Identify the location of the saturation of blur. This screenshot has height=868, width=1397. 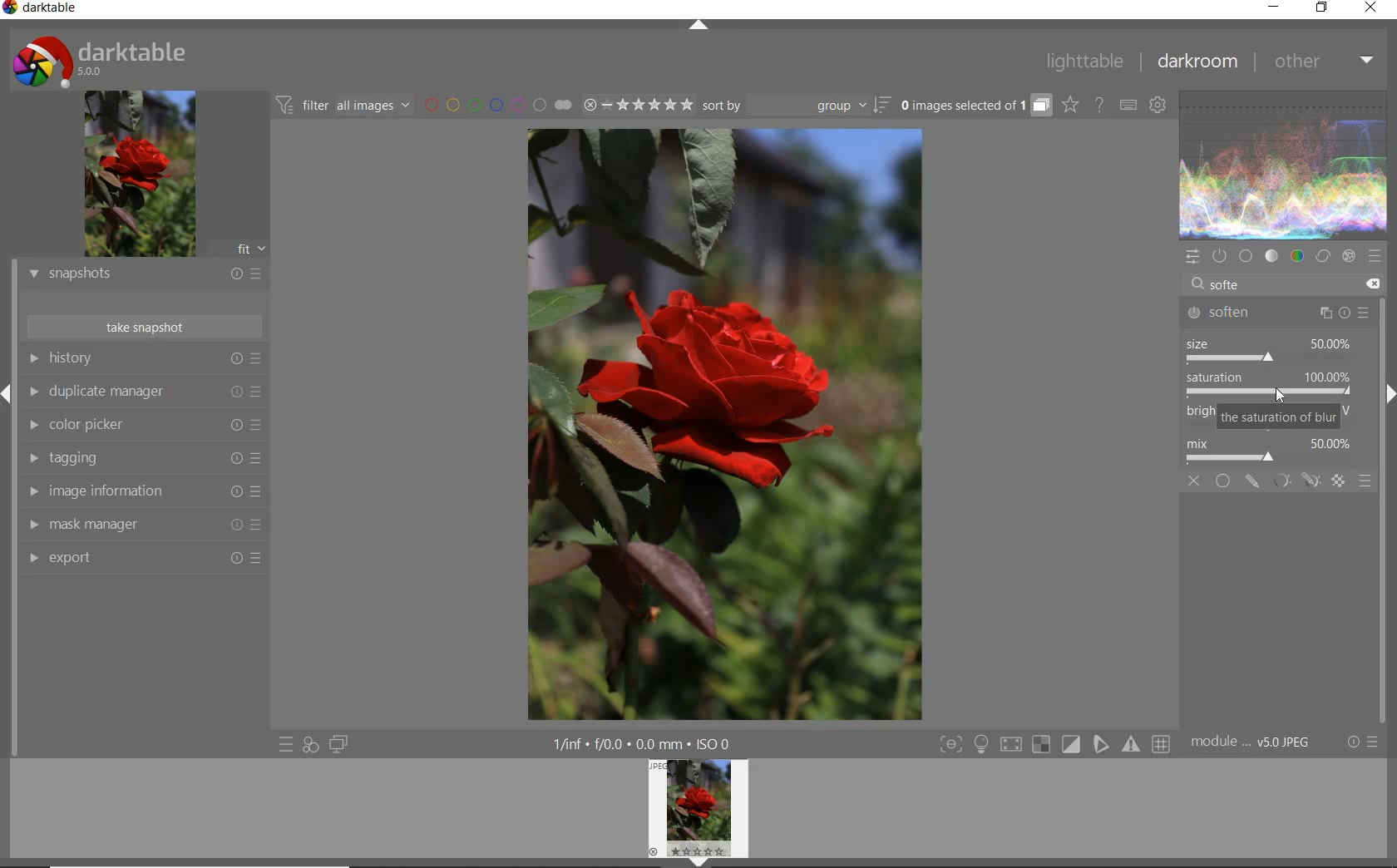
(1279, 418).